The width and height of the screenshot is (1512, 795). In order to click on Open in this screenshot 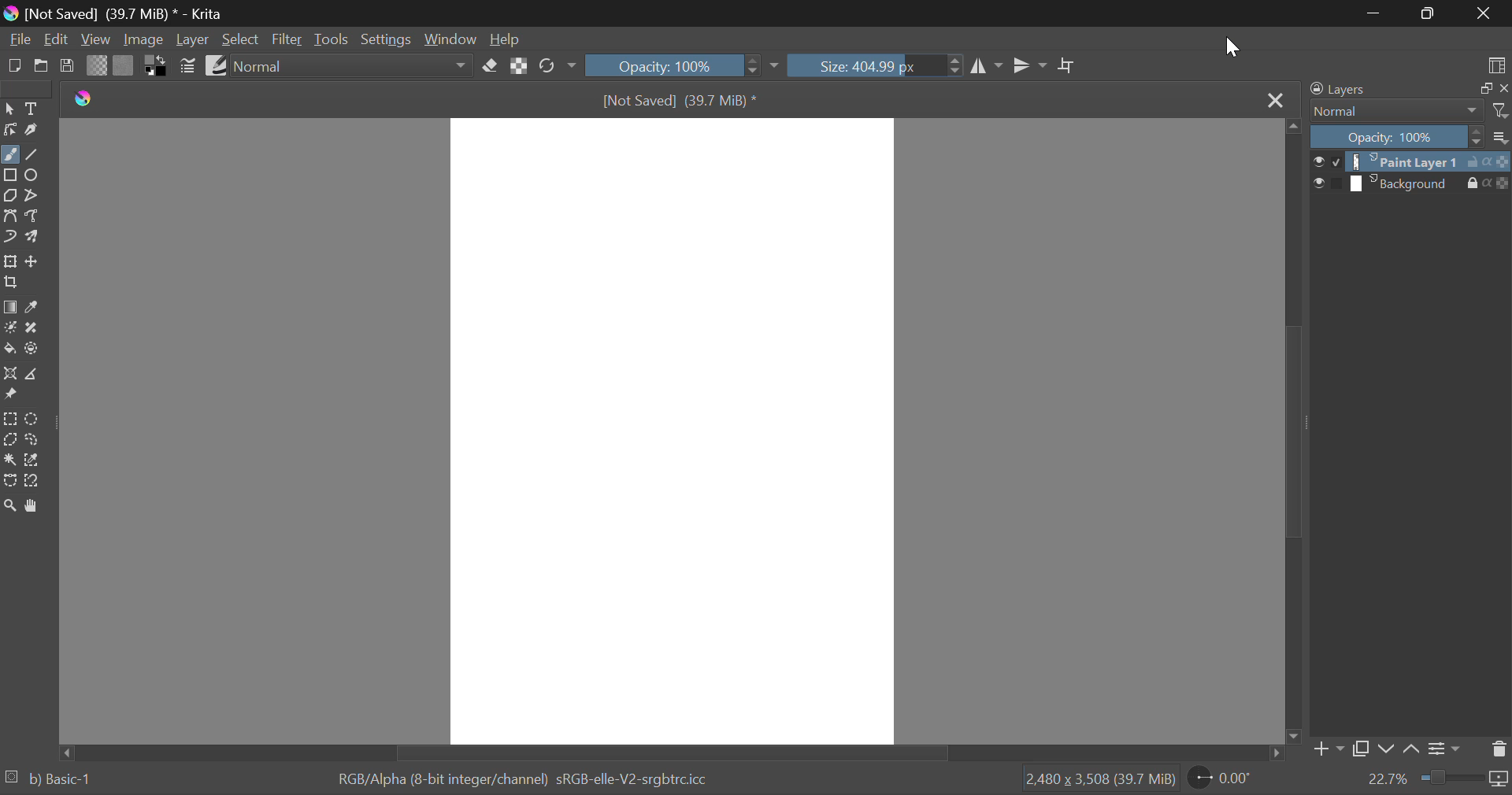, I will do `click(42, 67)`.